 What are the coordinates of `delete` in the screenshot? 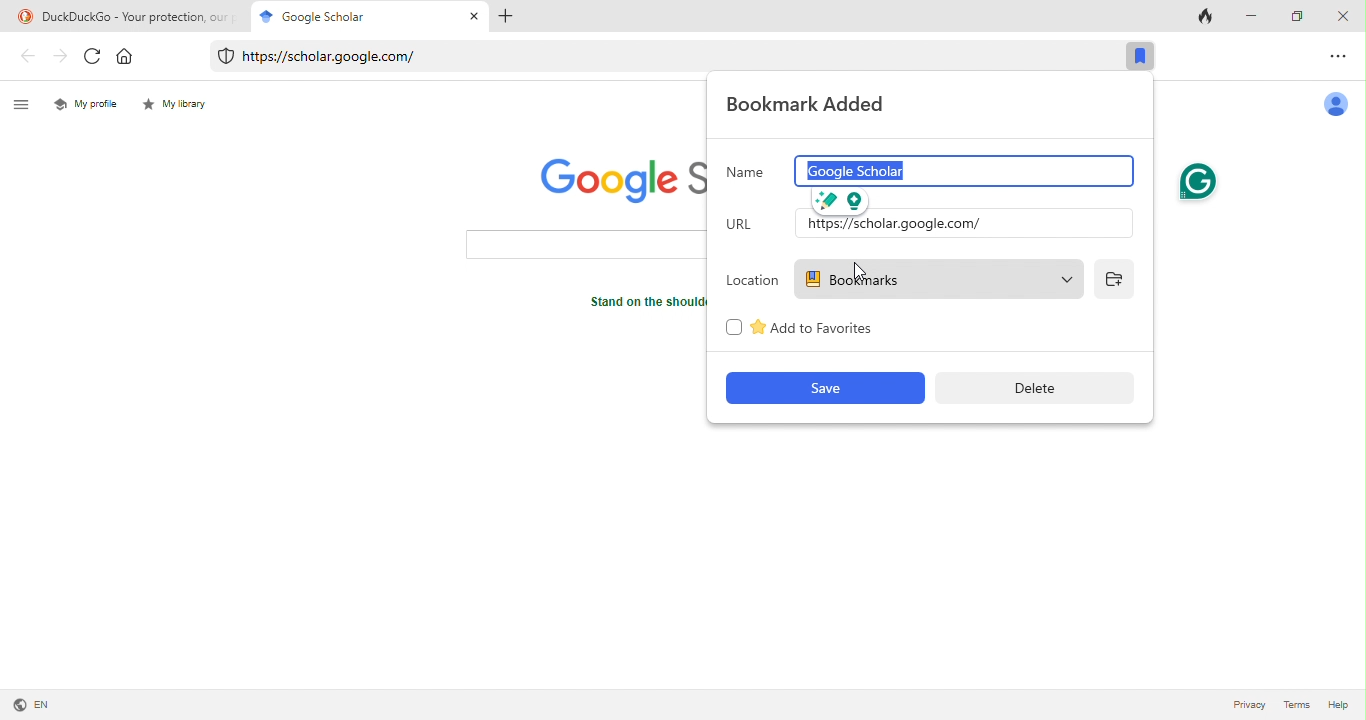 It's located at (1034, 386).